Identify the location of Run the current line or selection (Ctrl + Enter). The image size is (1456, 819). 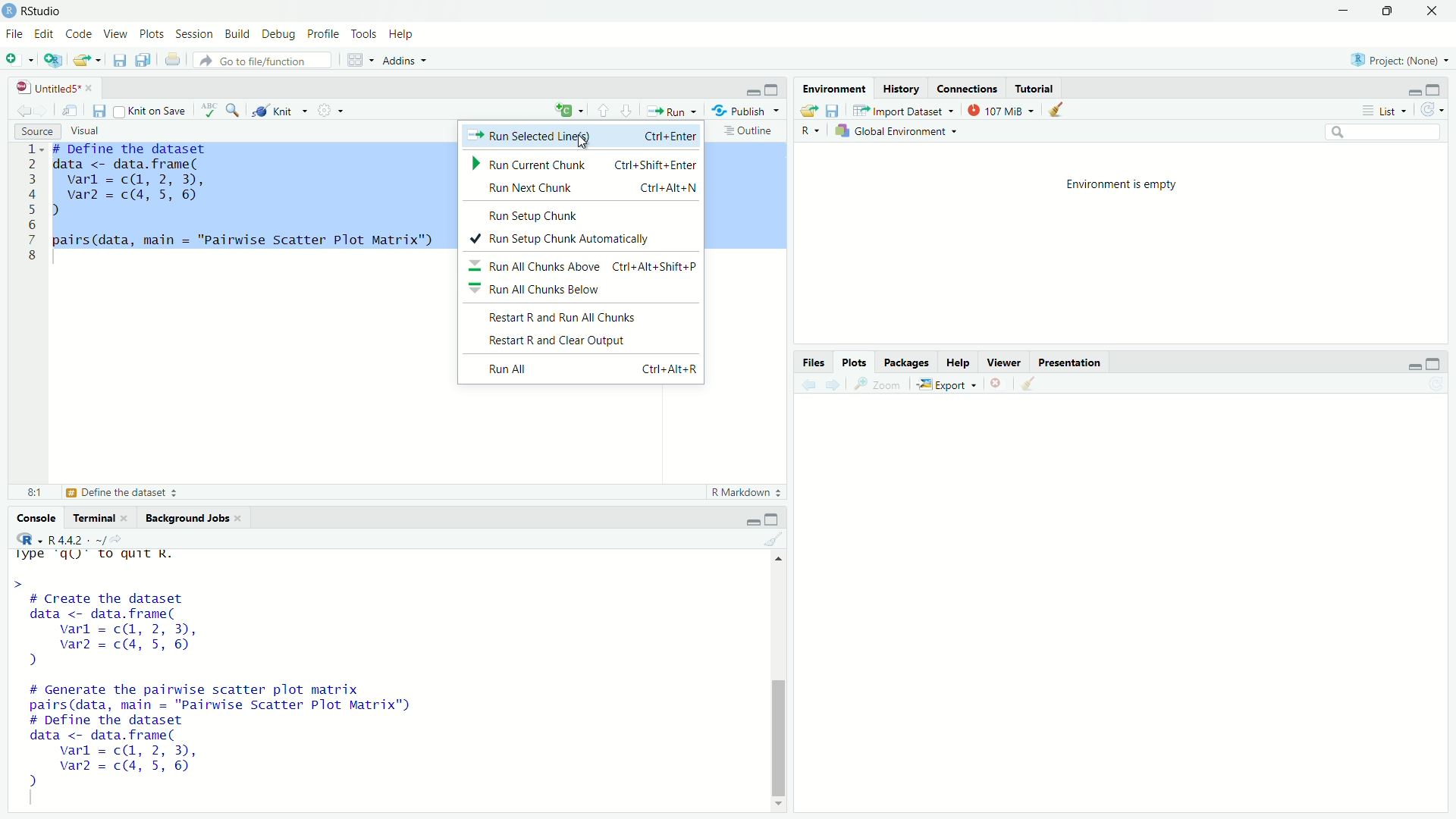
(670, 109).